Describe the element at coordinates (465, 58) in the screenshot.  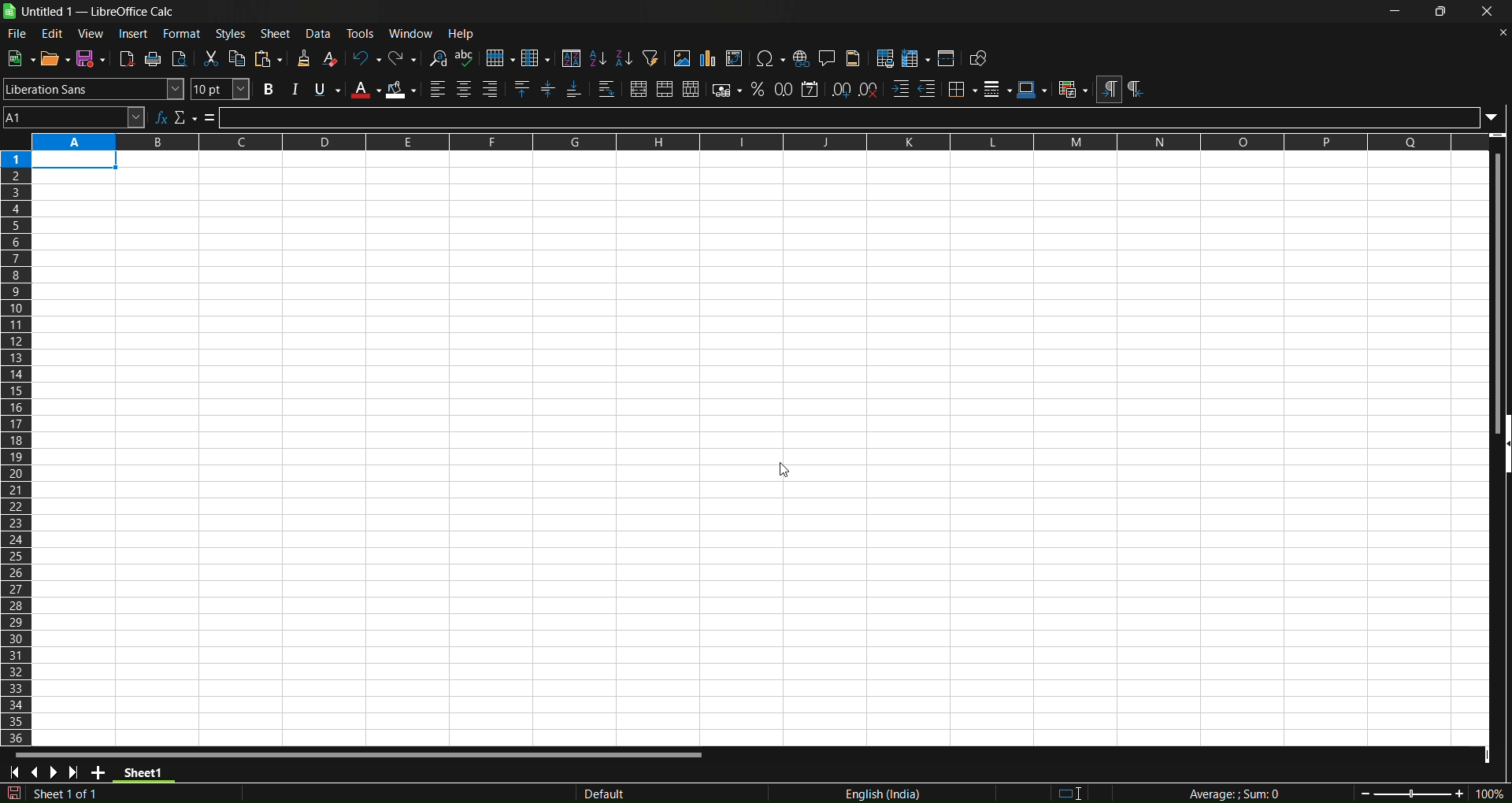
I see `spelling` at that location.